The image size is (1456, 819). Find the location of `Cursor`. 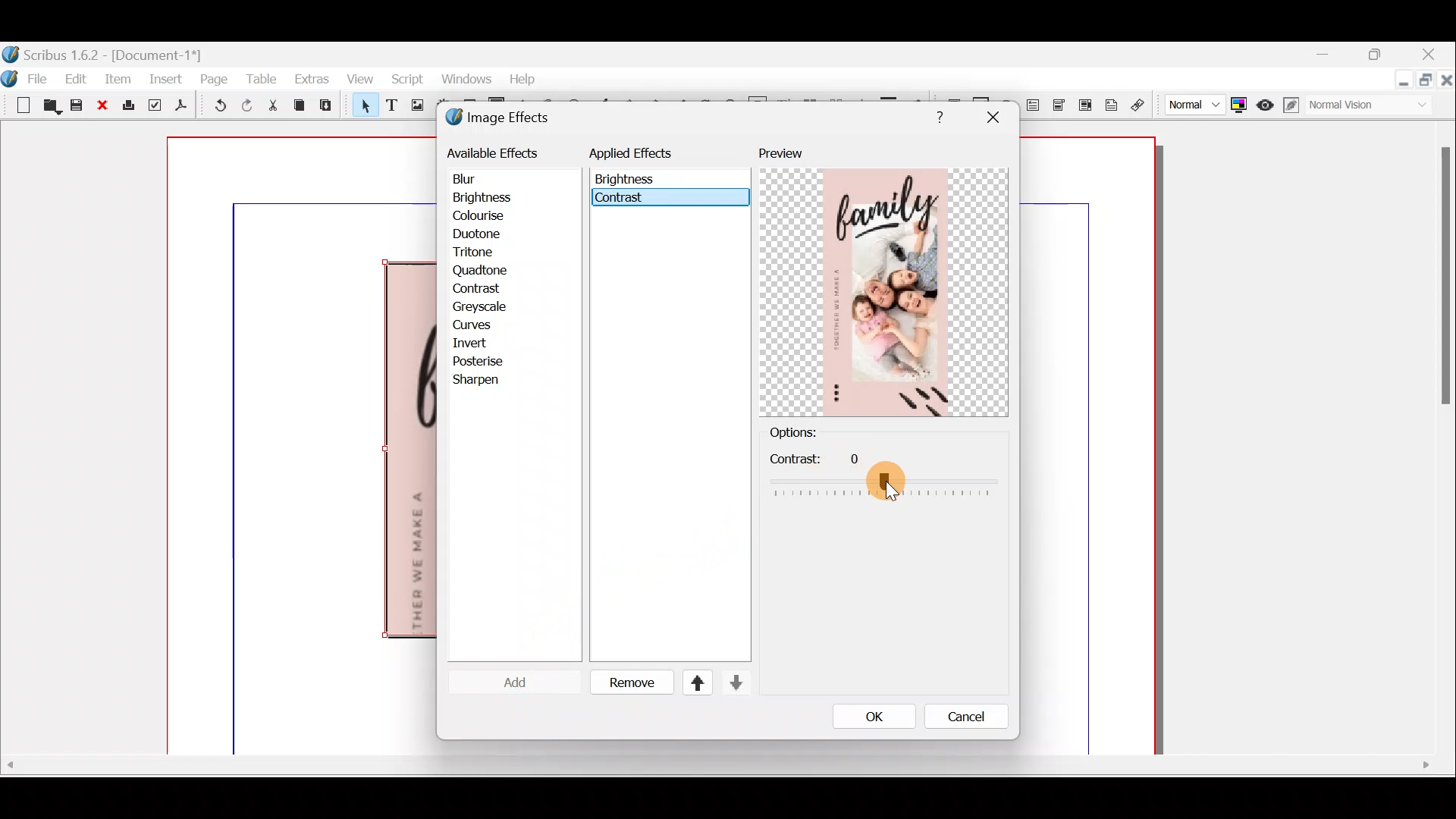

Cursor is located at coordinates (475, 290).